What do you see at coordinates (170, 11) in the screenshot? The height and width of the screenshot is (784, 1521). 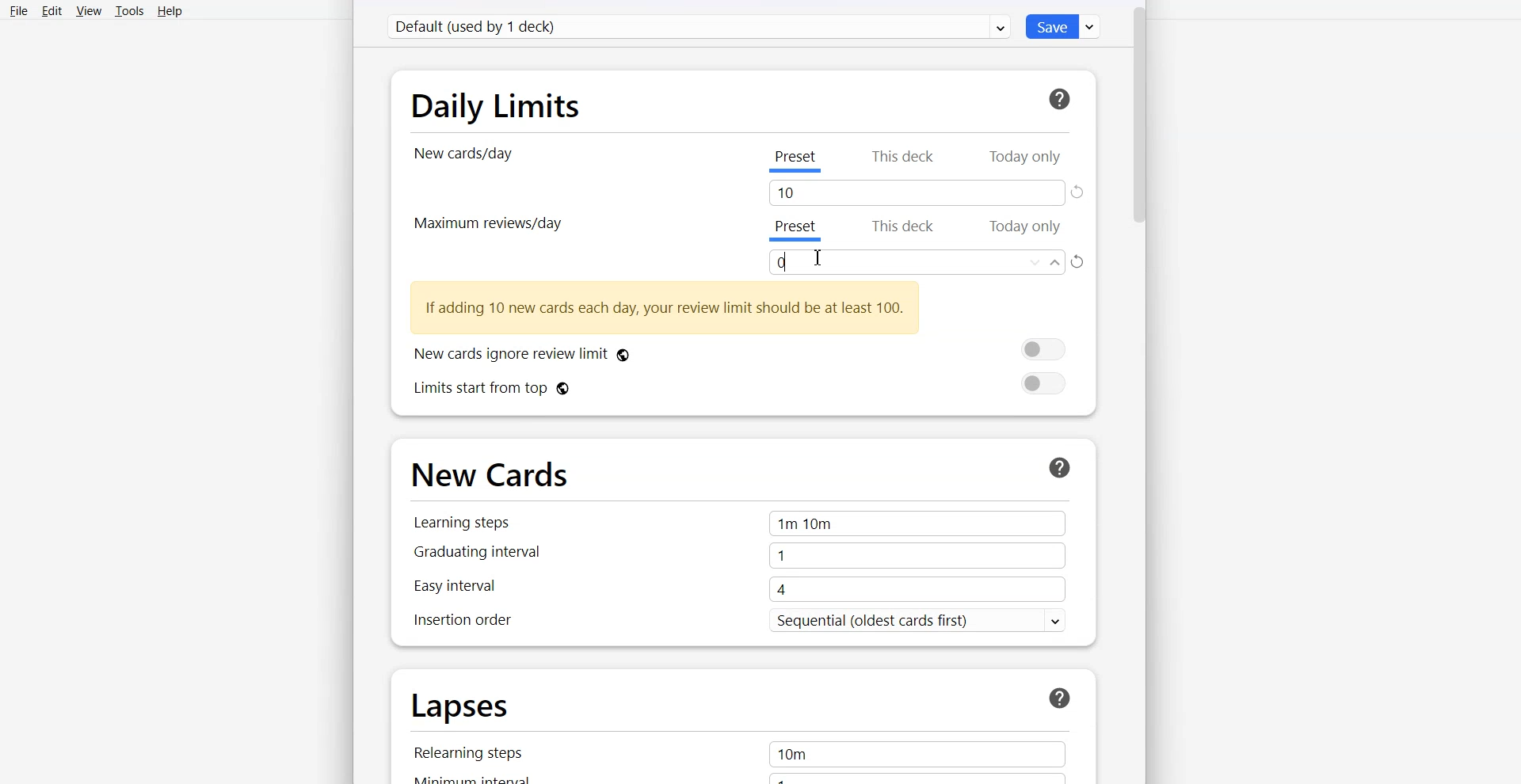 I see `Help` at bounding box center [170, 11].